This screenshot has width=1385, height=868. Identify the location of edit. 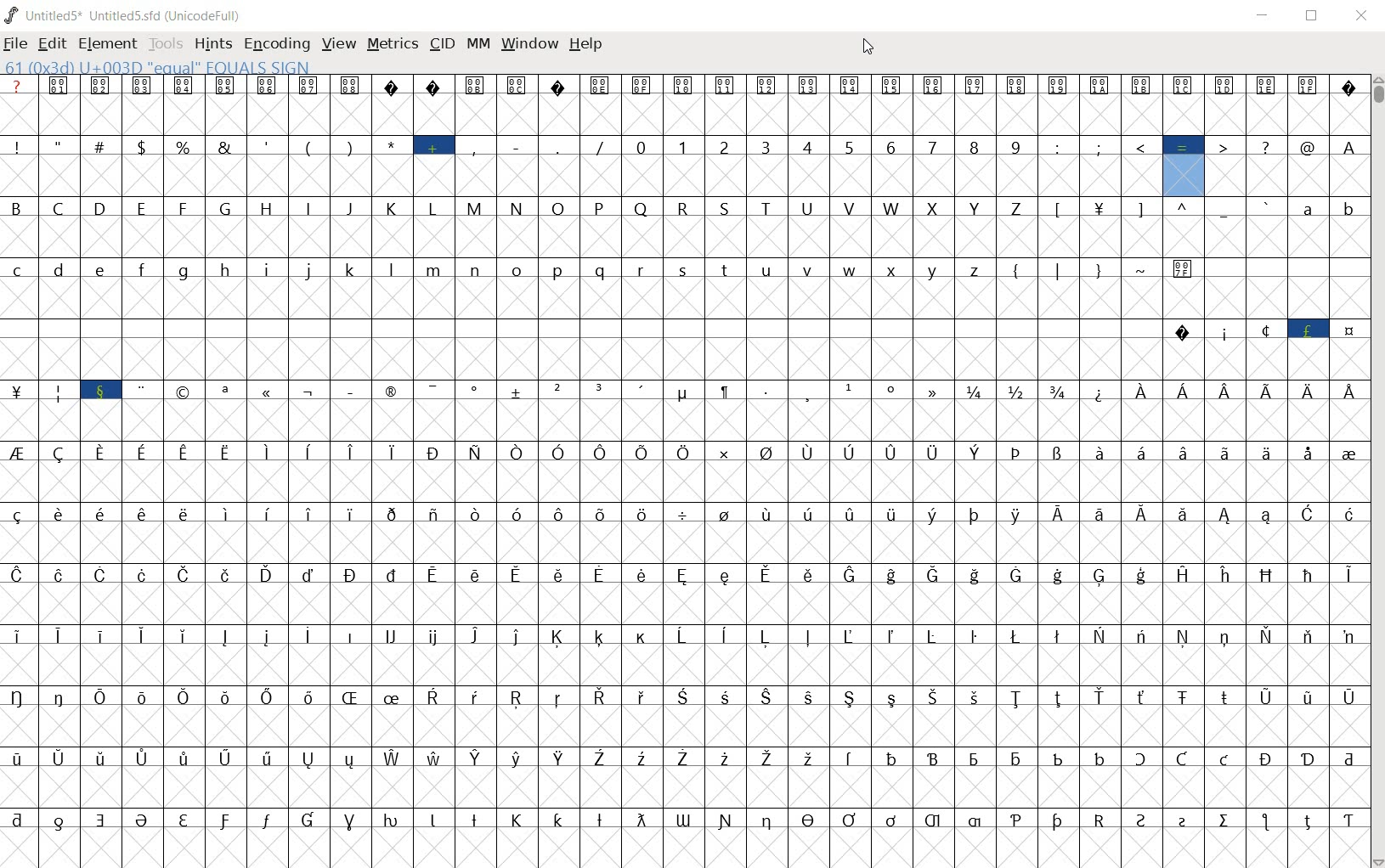
(51, 46).